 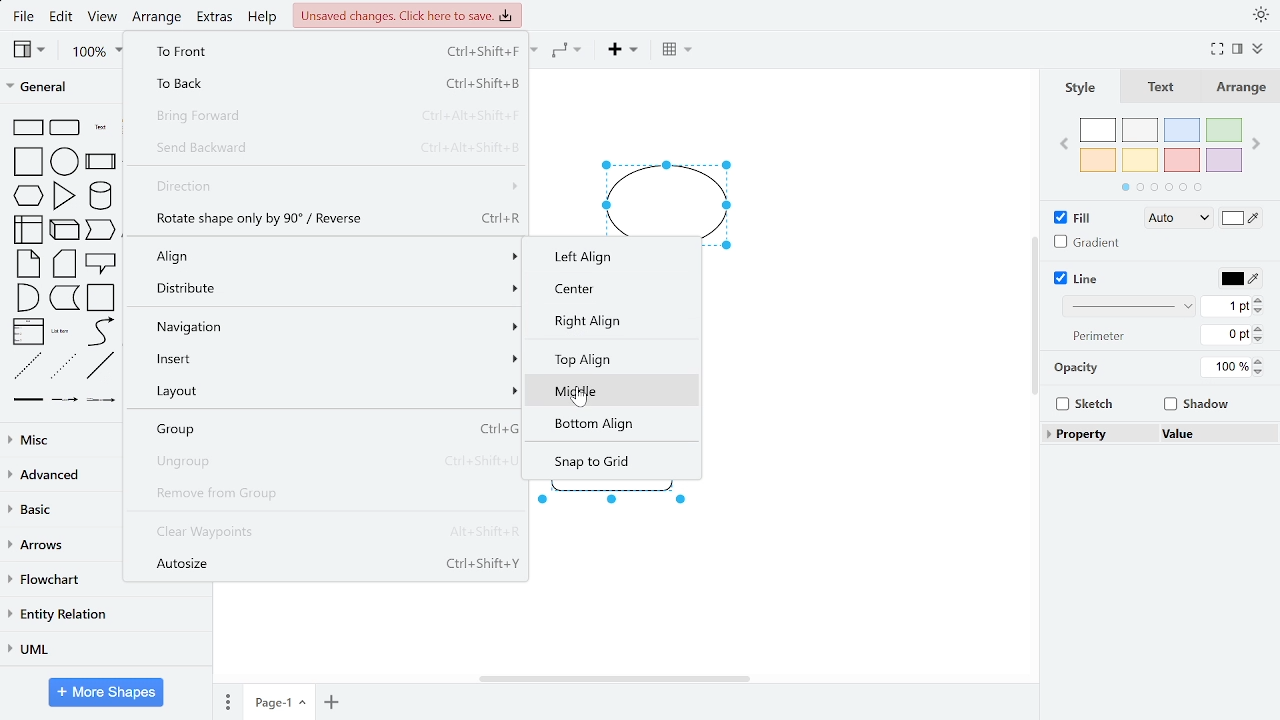 What do you see at coordinates (1242, 217) in the screenshot?
I see `fill color` at bounding box center [1242, 217].